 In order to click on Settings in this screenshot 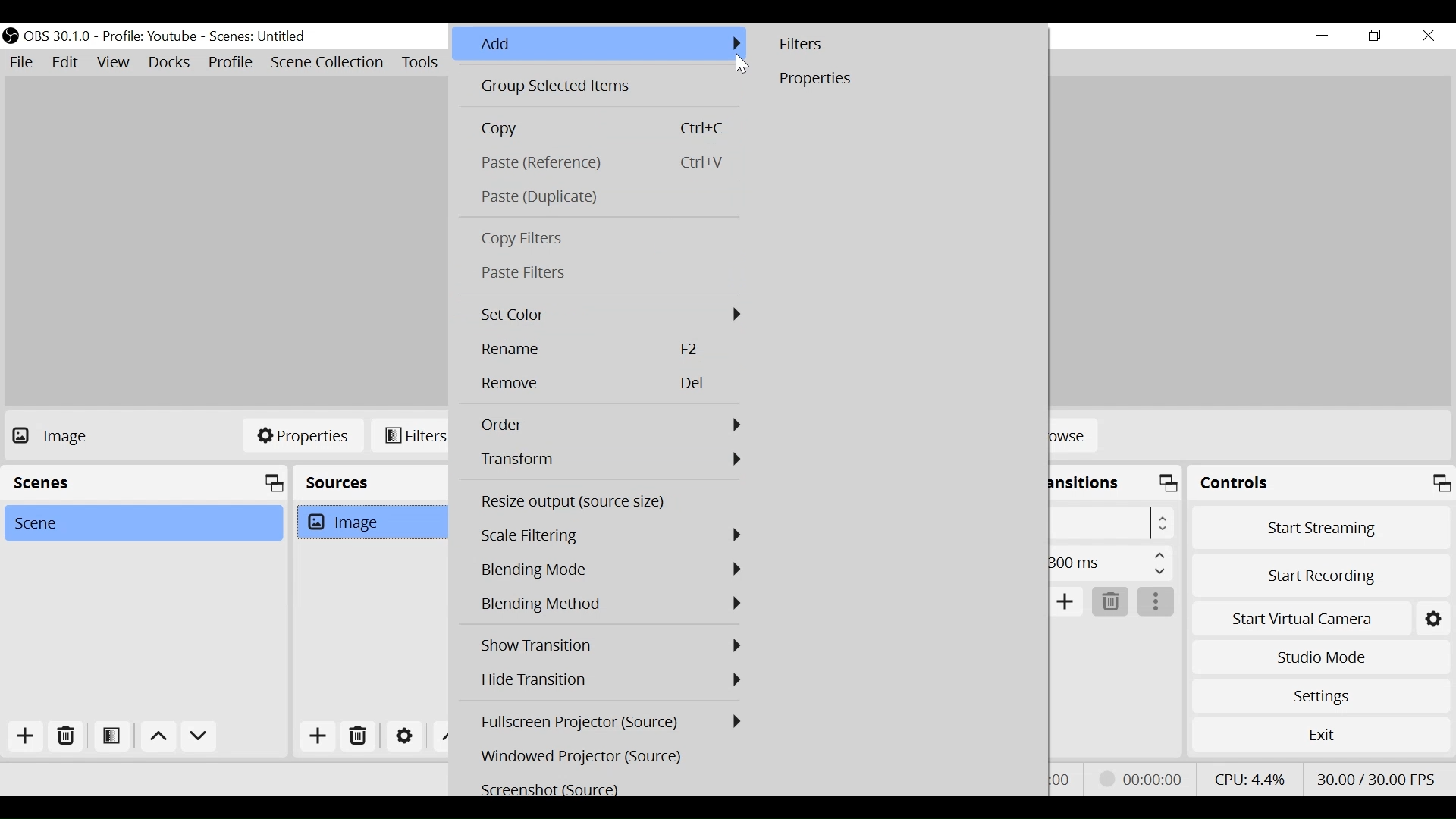, I will do `click(404, 736)`.